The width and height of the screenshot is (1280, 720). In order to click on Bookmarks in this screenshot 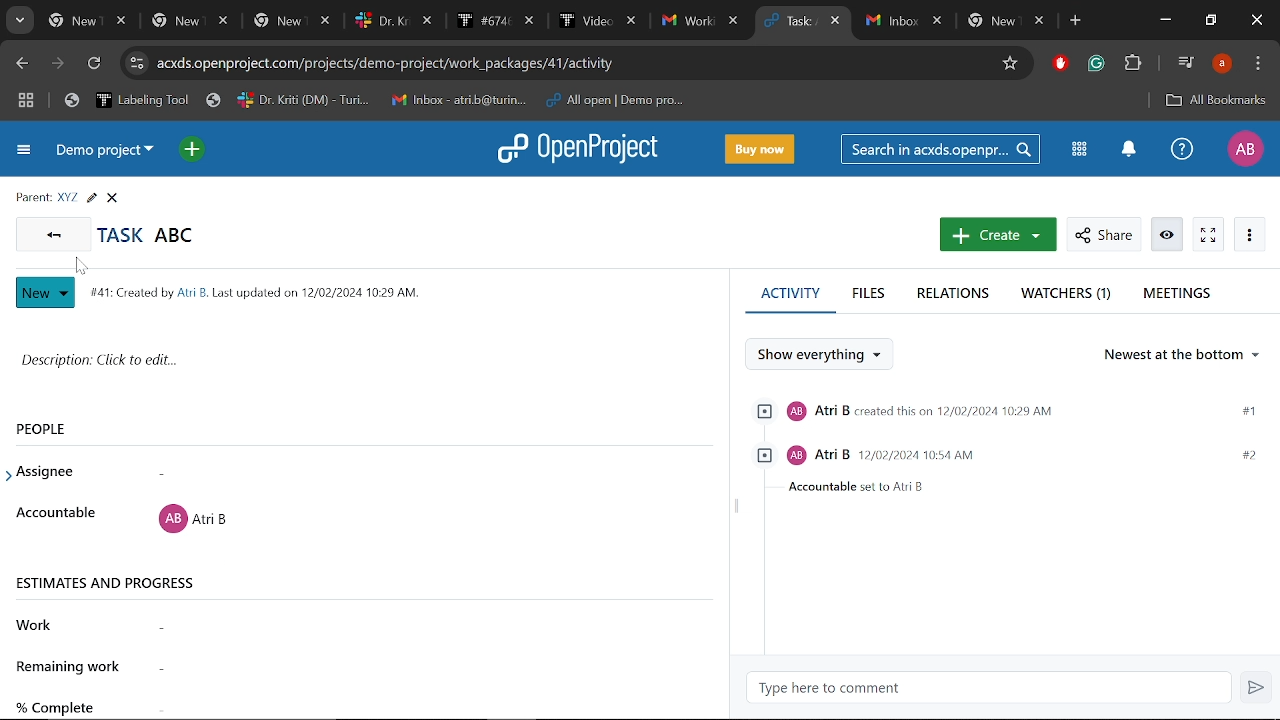, I will do `click(378, 100)`.